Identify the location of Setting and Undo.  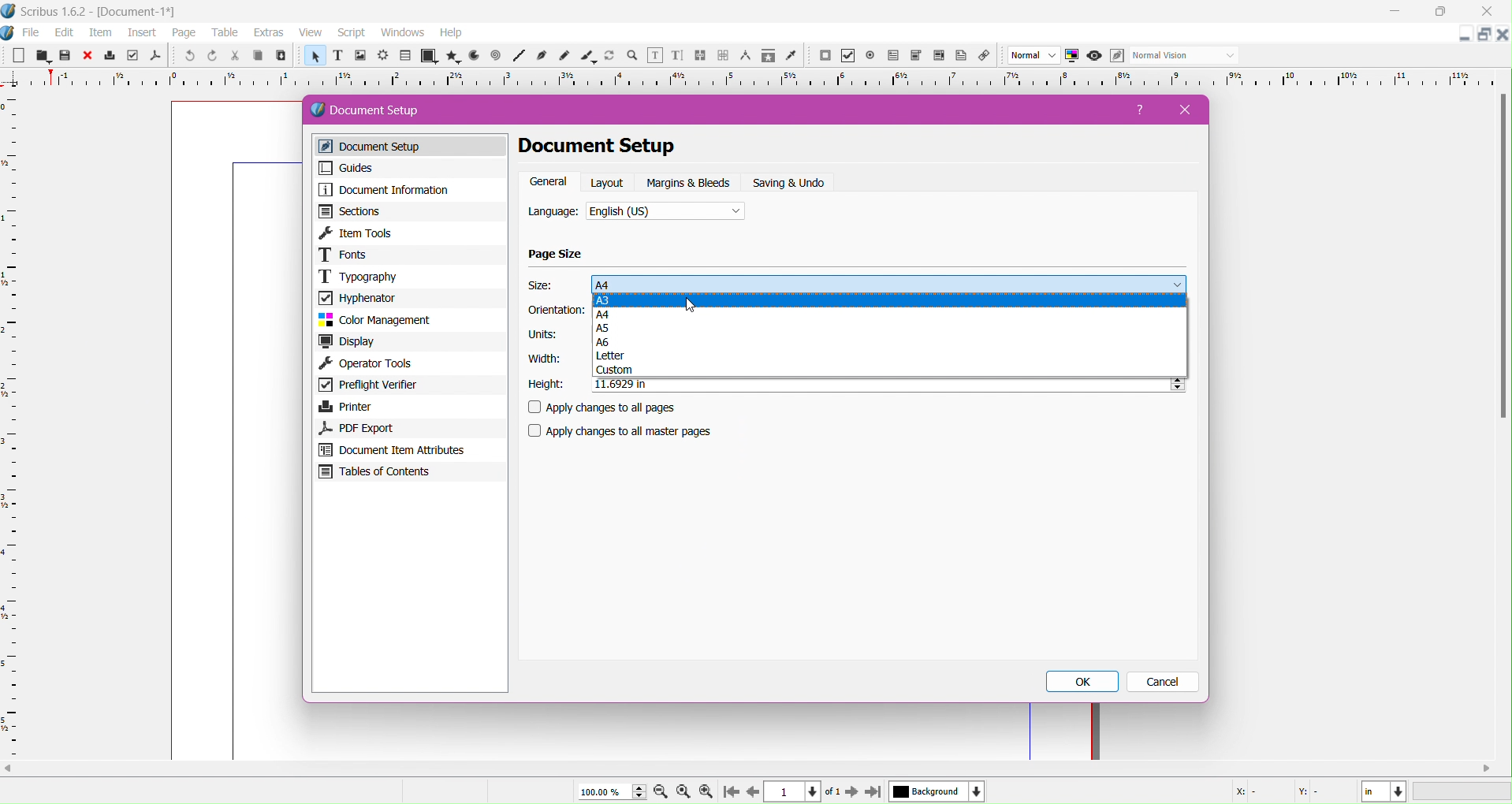
(795, 183).